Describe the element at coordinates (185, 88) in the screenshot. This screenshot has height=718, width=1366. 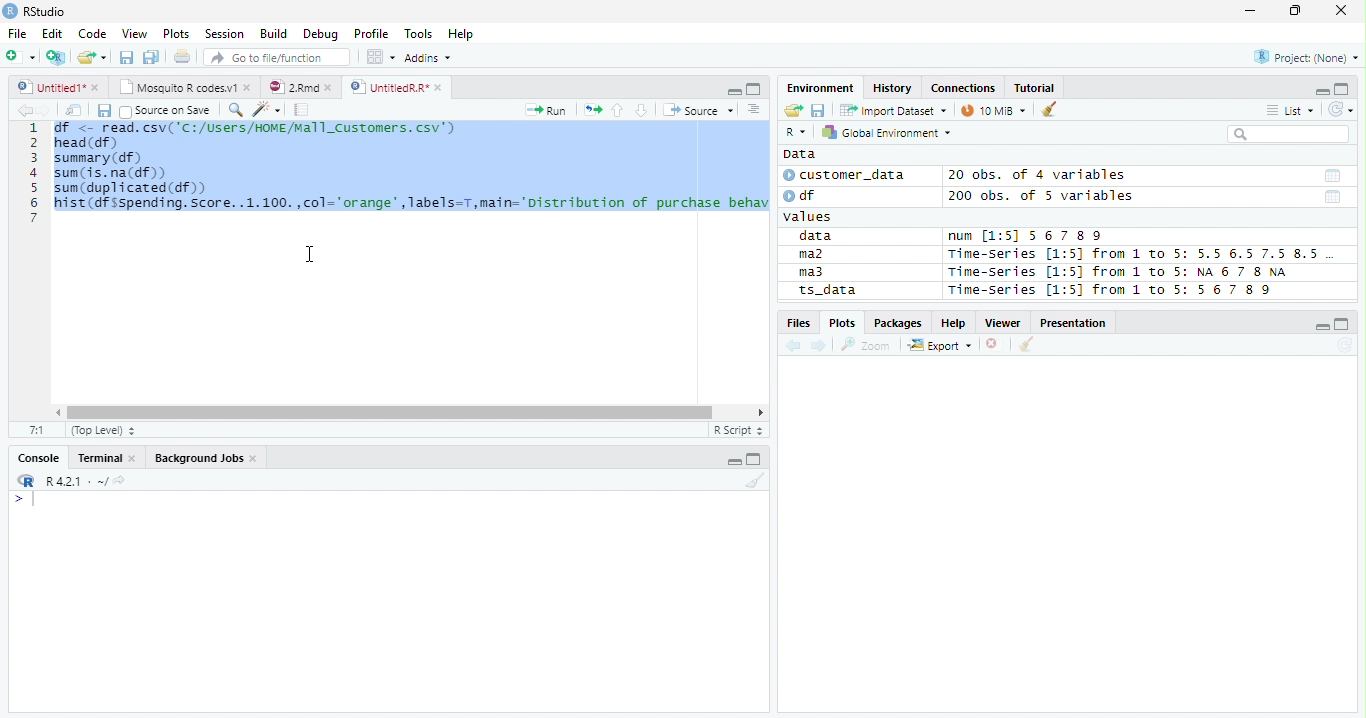
I see `Mosquito T codes.v1` at that location.